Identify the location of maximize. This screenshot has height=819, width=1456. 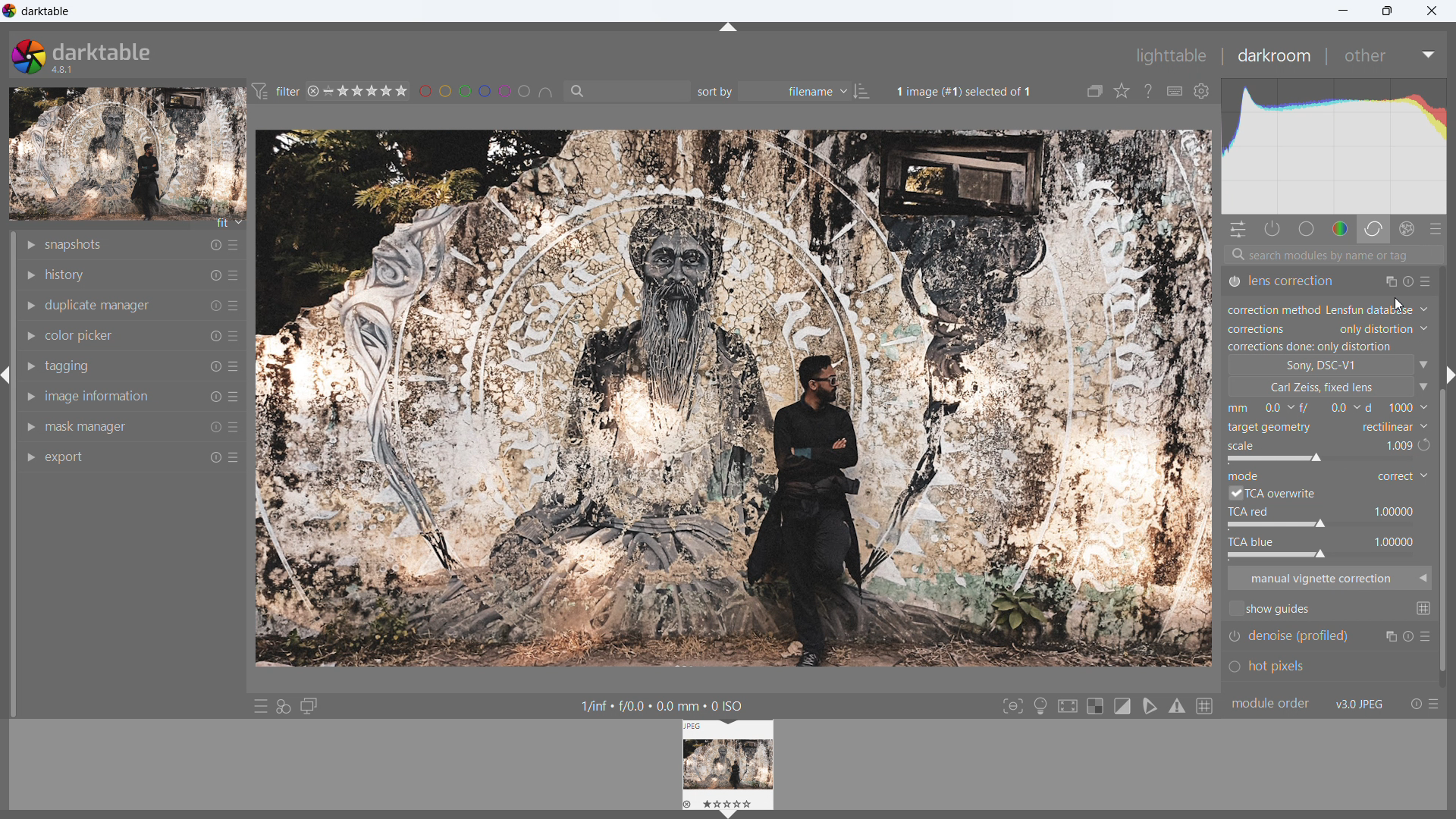
(1387, 11).